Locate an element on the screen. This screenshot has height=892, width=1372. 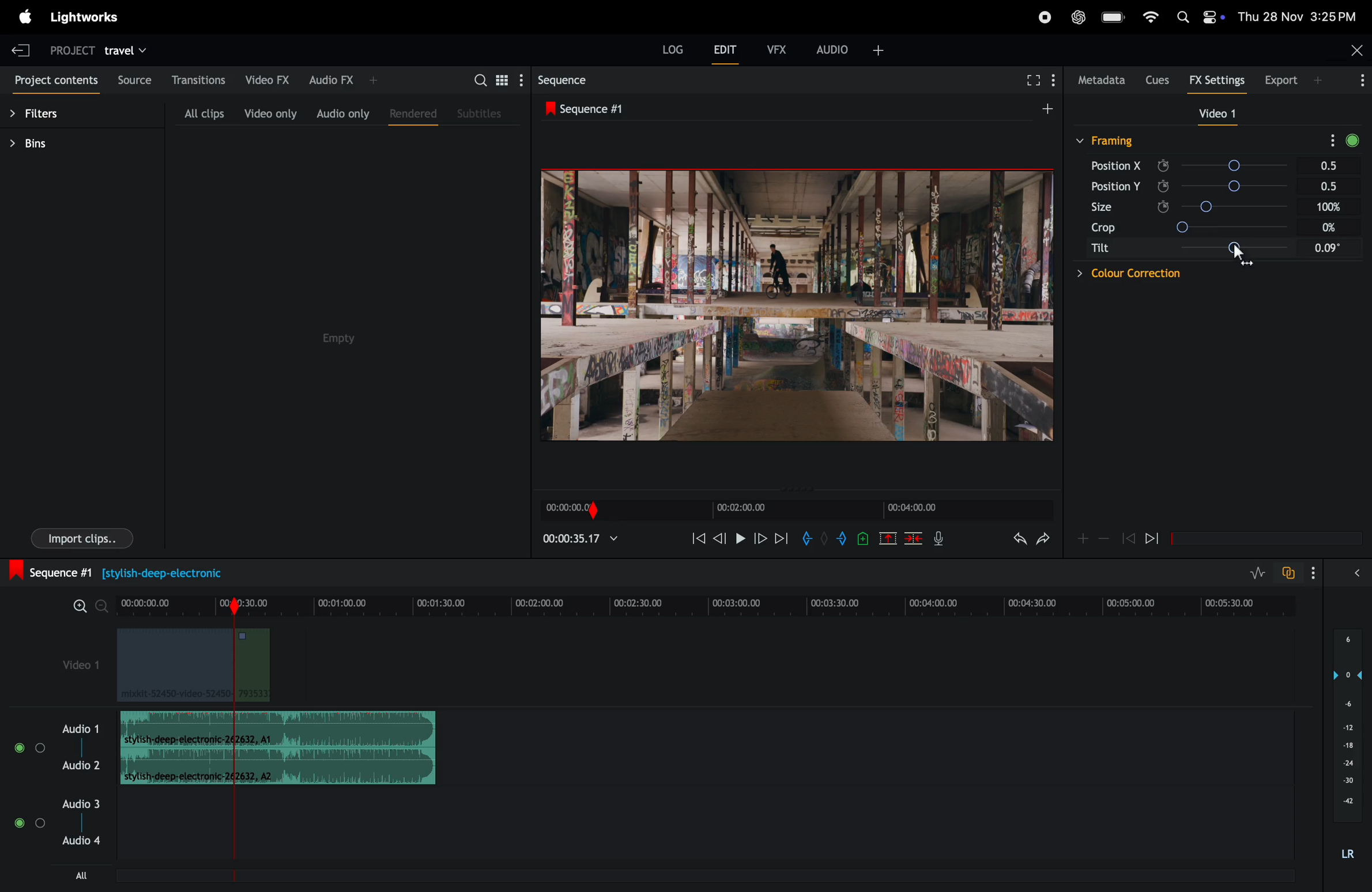
audio fx is located at coordinates (345, 80).